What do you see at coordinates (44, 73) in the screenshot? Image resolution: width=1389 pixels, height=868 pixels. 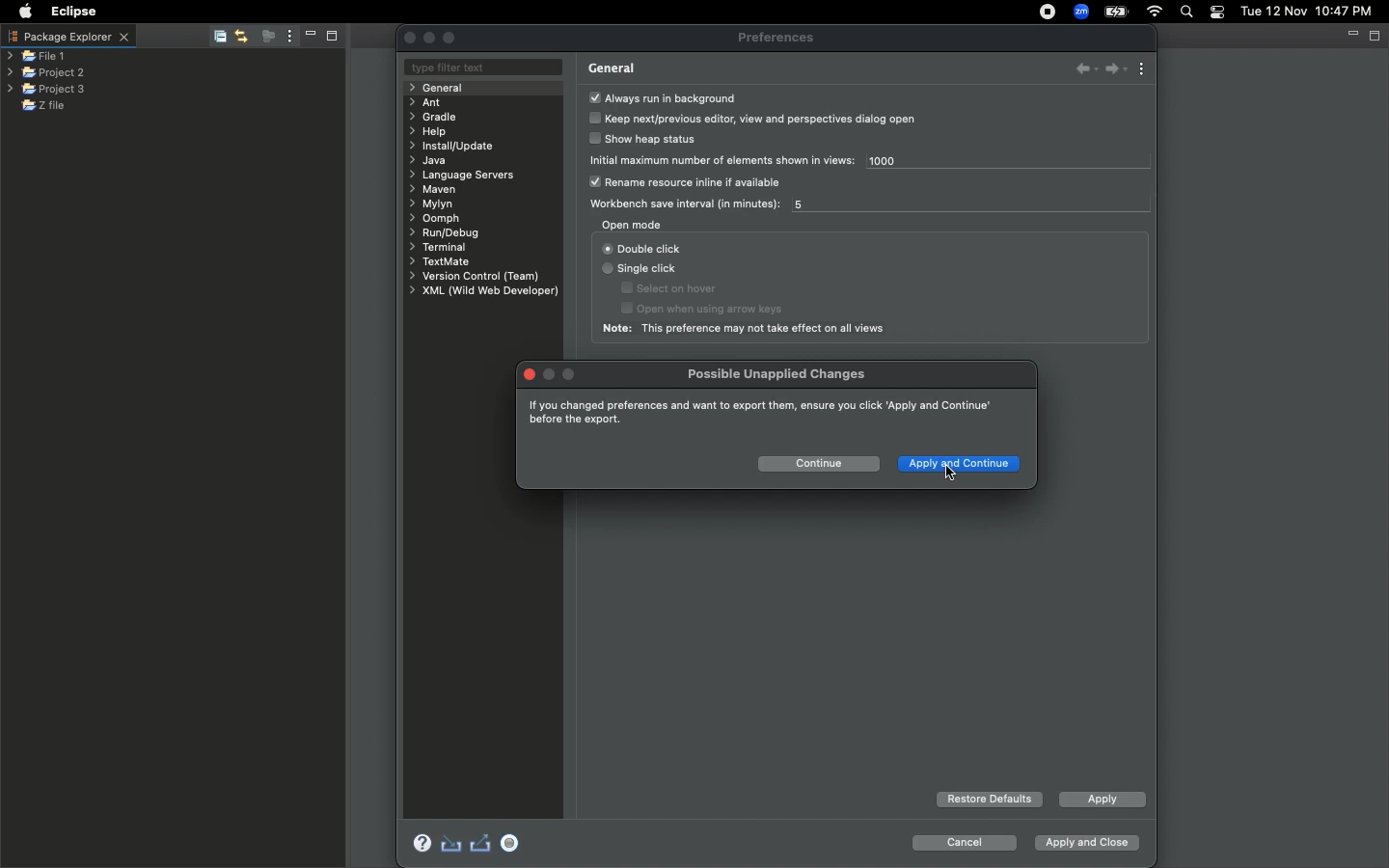 I see `Project 2` at bounding box center [44, 73].